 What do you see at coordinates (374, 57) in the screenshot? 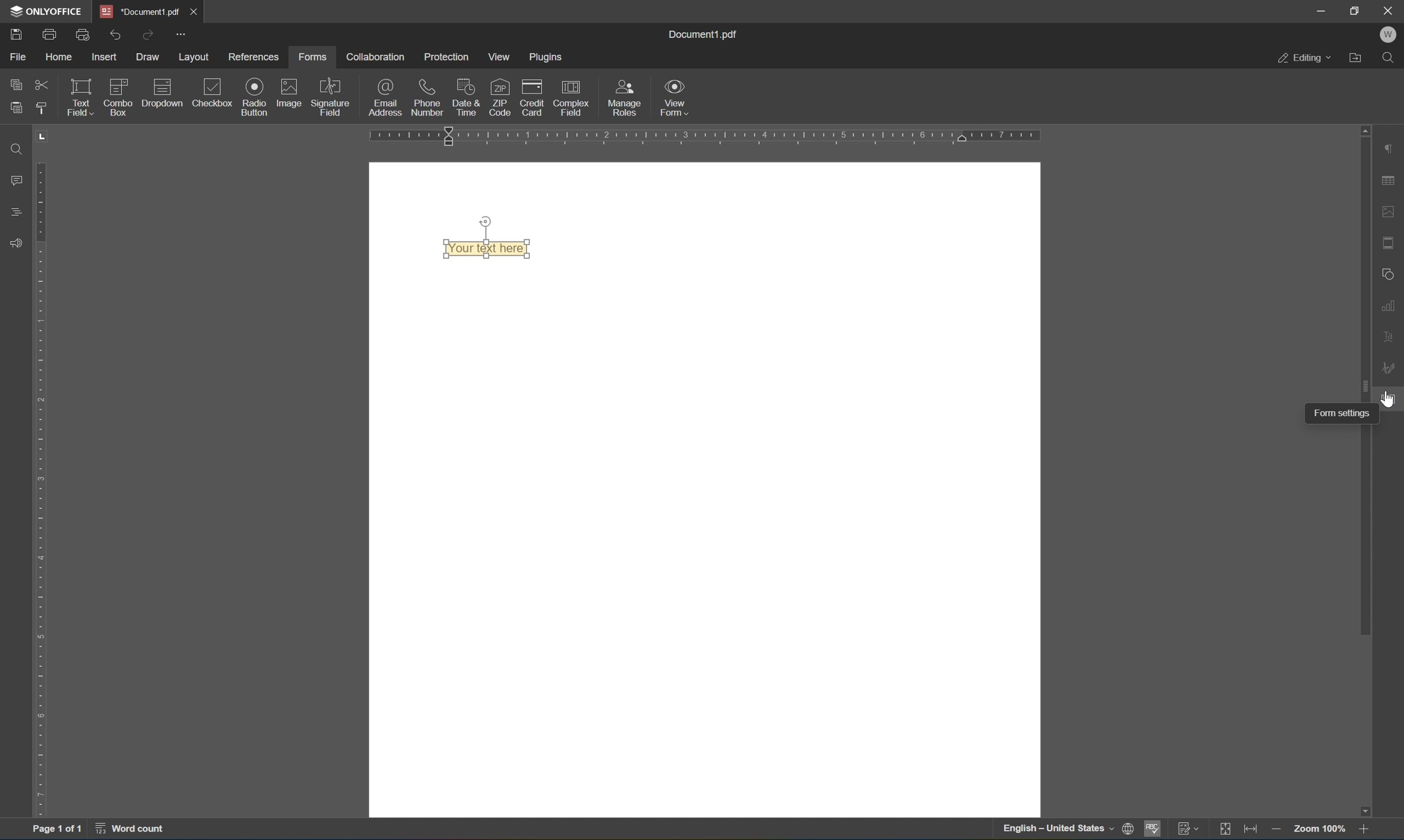
I see `collaboration` at bounding box center [374, 57].